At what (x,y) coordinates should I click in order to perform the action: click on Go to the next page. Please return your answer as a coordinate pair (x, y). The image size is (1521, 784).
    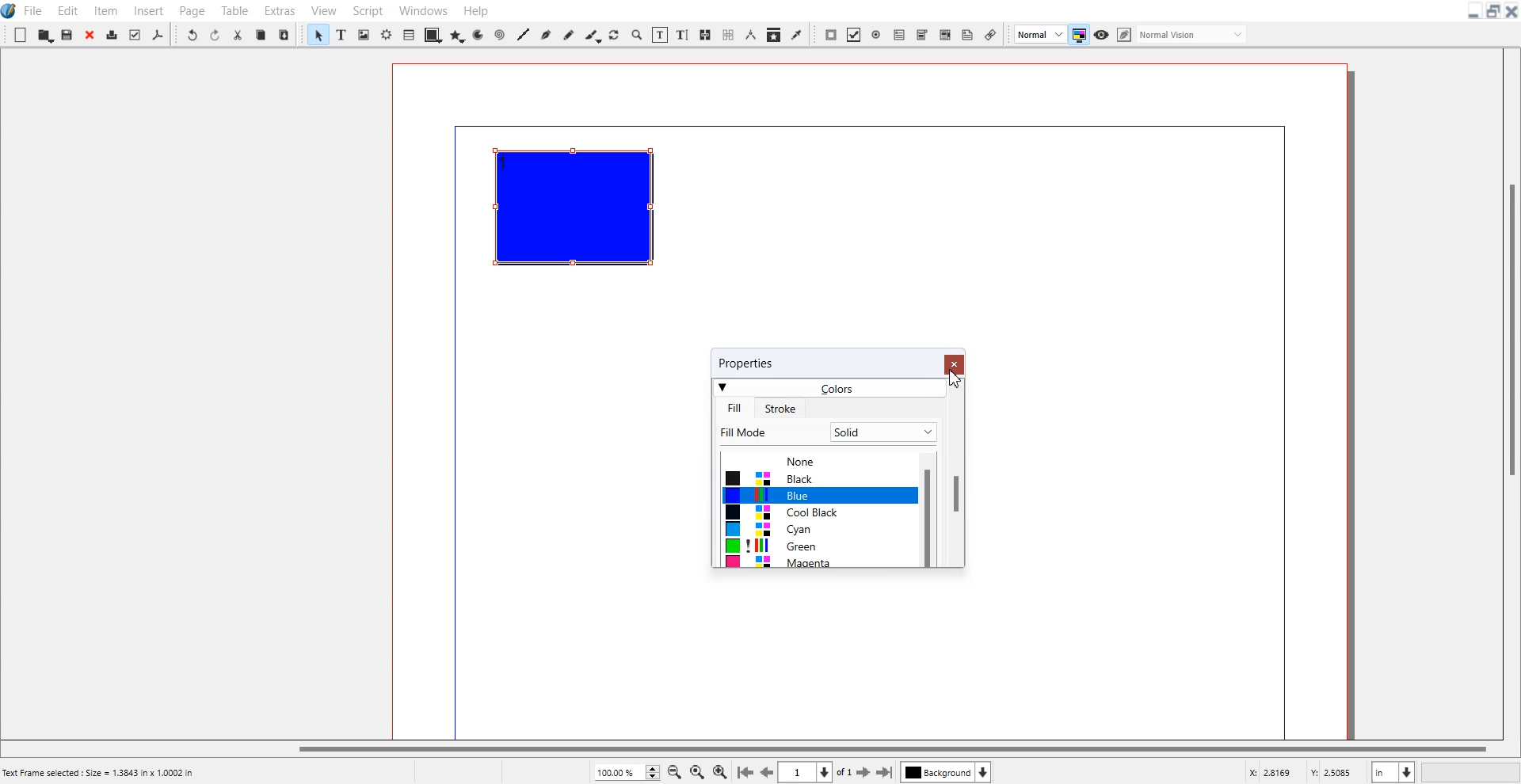
    Looking at the image, I should click on (863, 773).